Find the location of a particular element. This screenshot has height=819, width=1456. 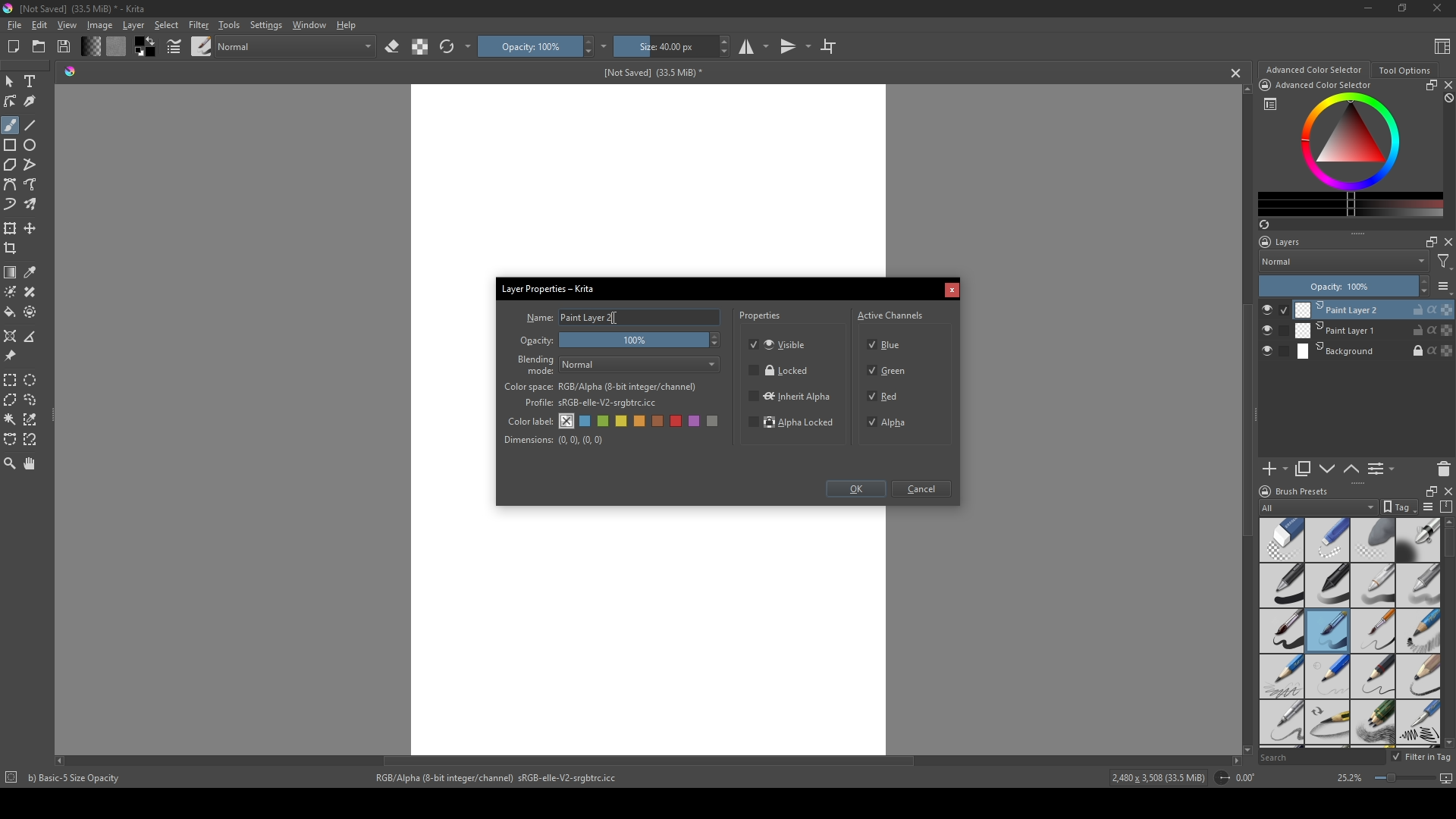

add new is located at coordinates (1274, 469).